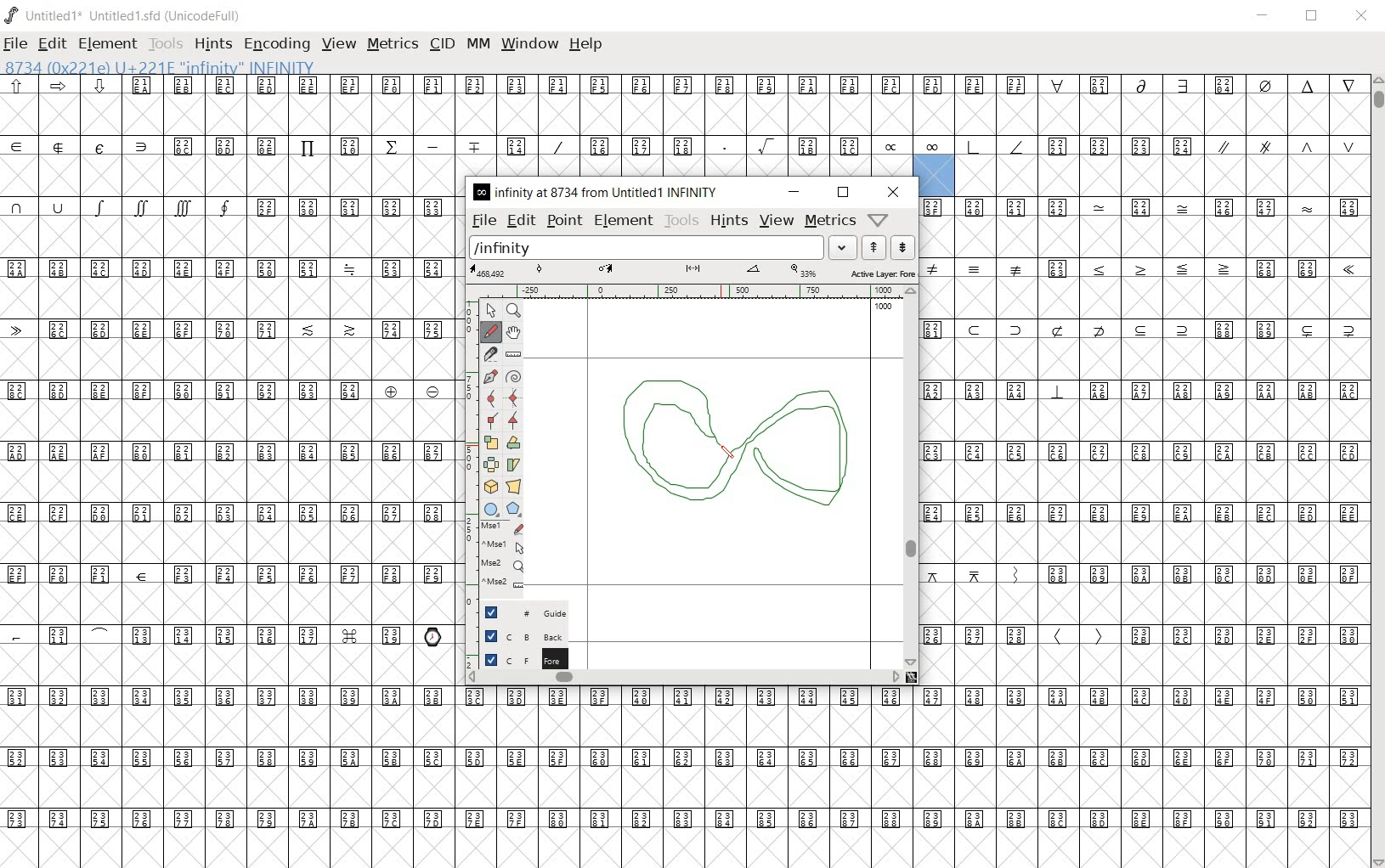  What do you see at coordinates (1291, 268) in the screenshot?
I see `Unicode code points` at bounding box center [1291, 268].